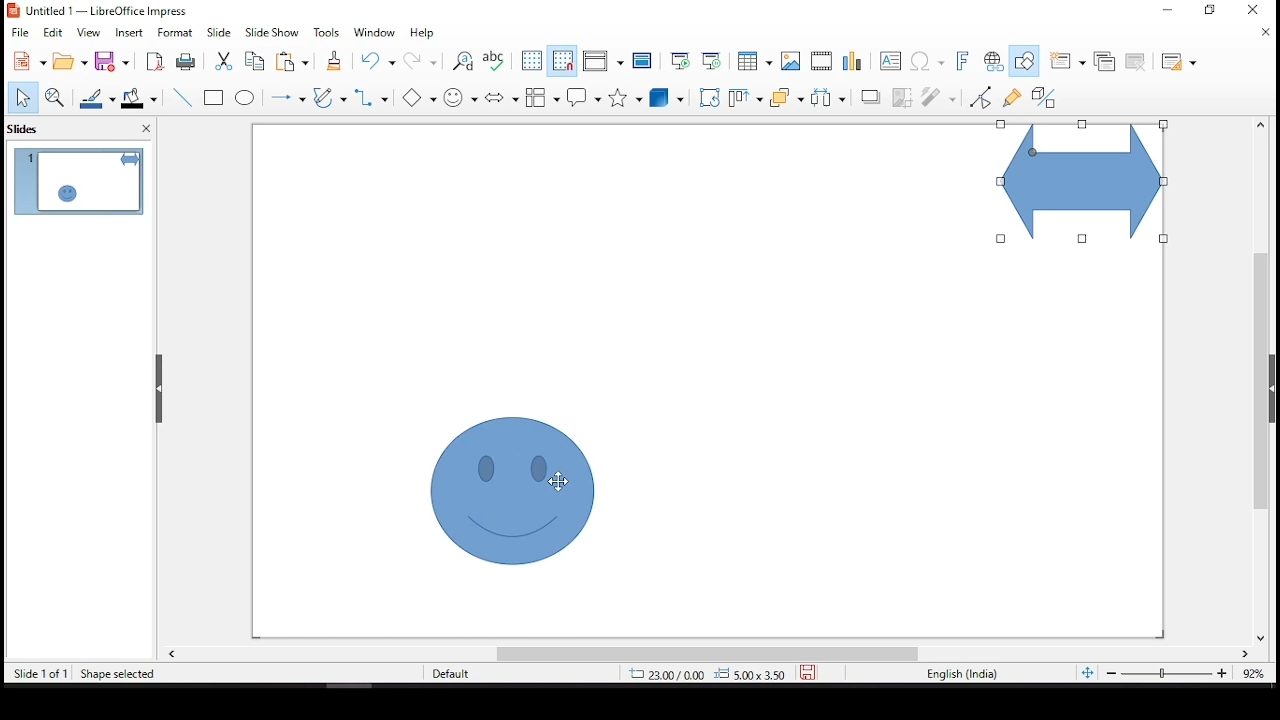 The height and width of the screenshot is (720, 1280). What do you see at coordinates (153, 61) in the screenshot?
I see `export as pdf` at bounding box center [153, 61].